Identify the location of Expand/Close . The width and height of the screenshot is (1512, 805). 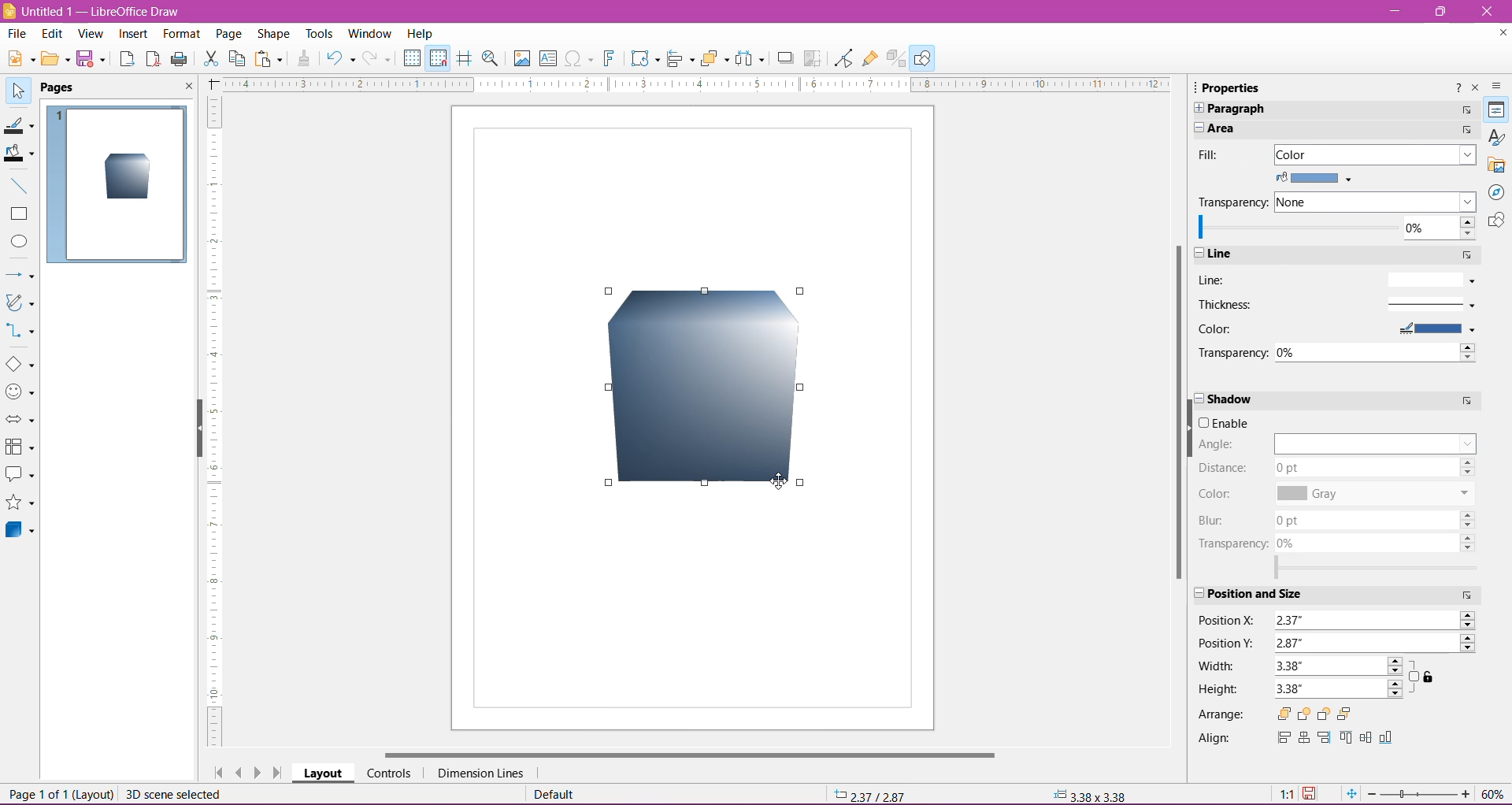
(1198, 399).